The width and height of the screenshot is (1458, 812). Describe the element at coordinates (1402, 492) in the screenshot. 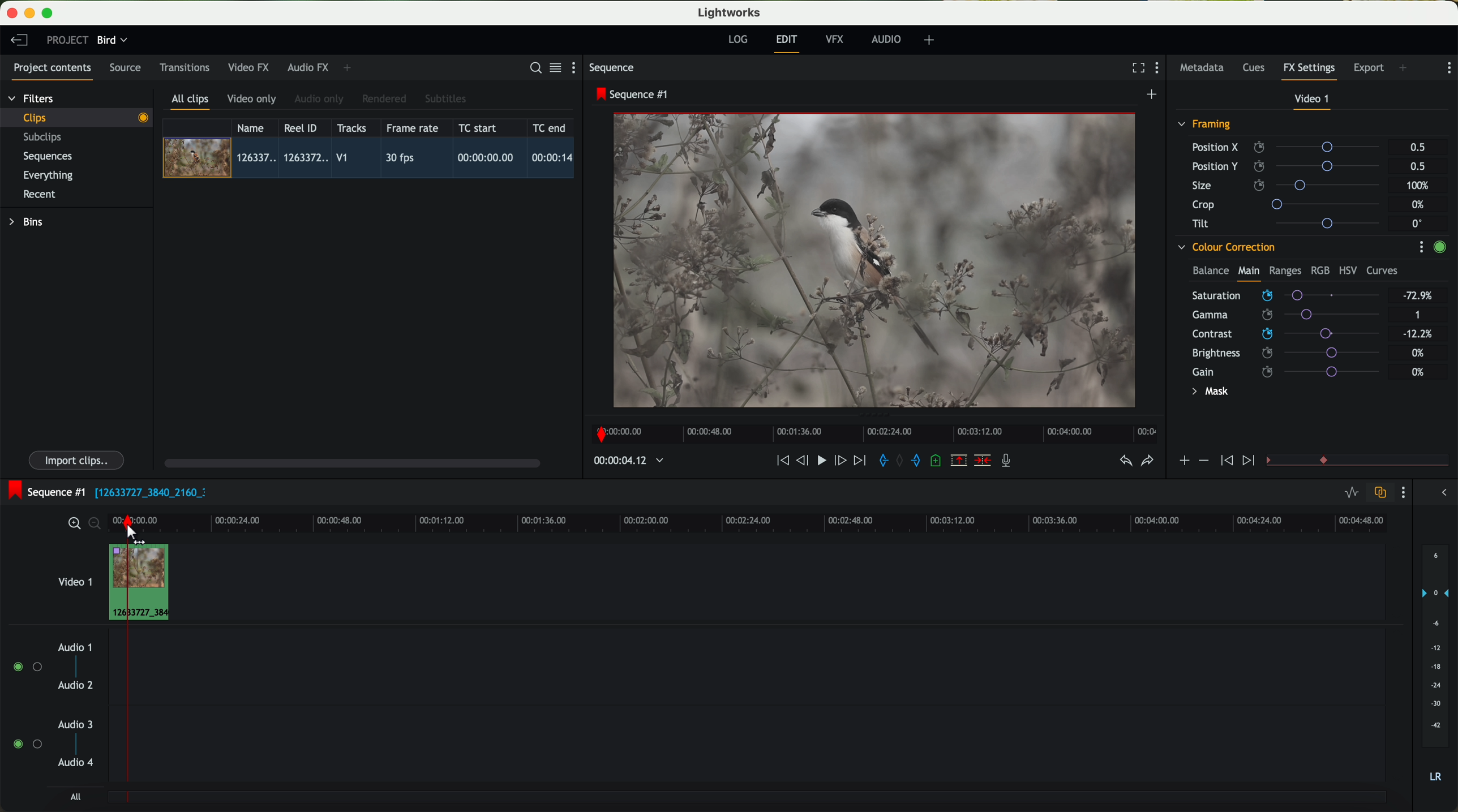

I see `show settings menu` at that location.